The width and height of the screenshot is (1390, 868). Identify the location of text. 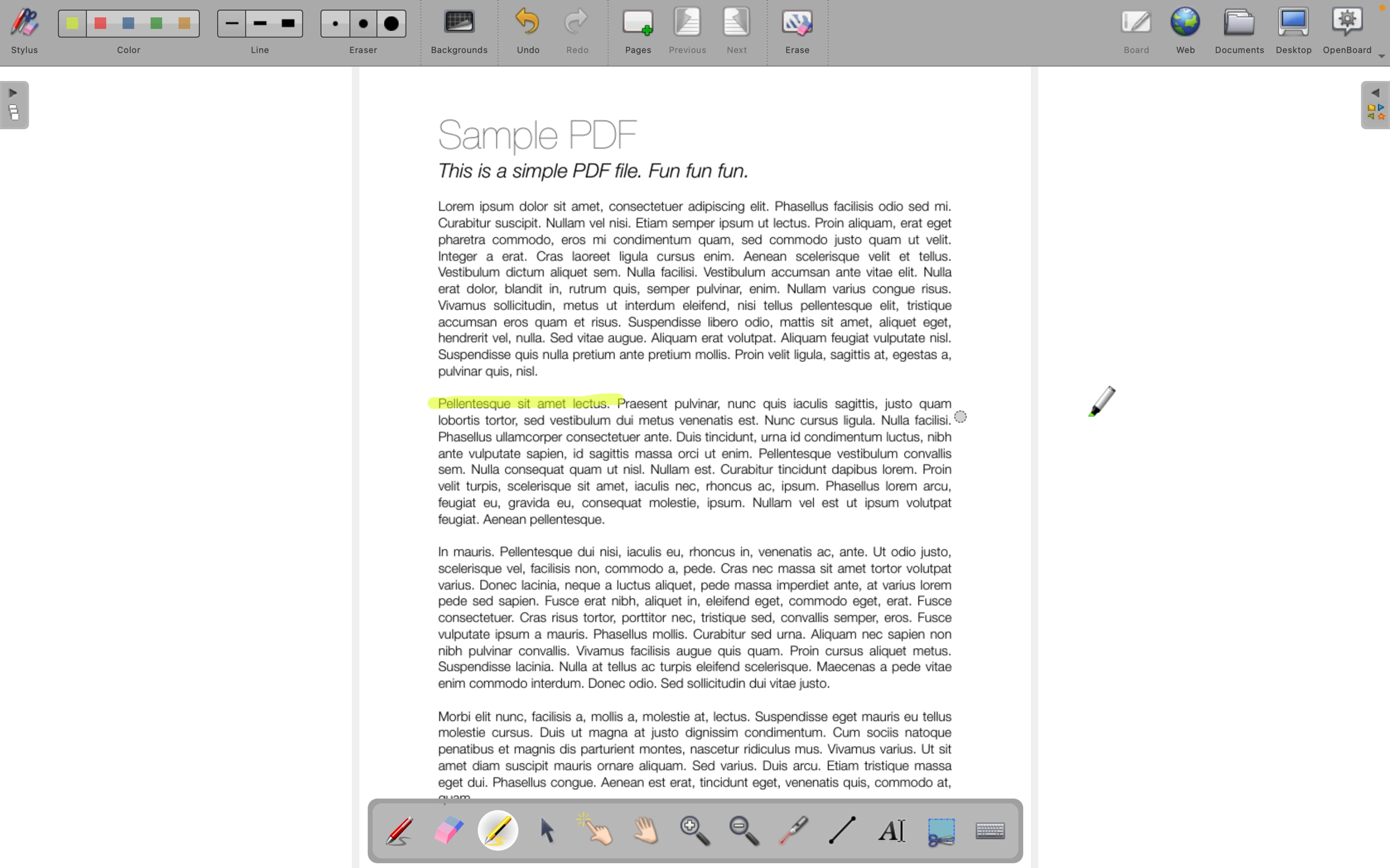
(694, 243).